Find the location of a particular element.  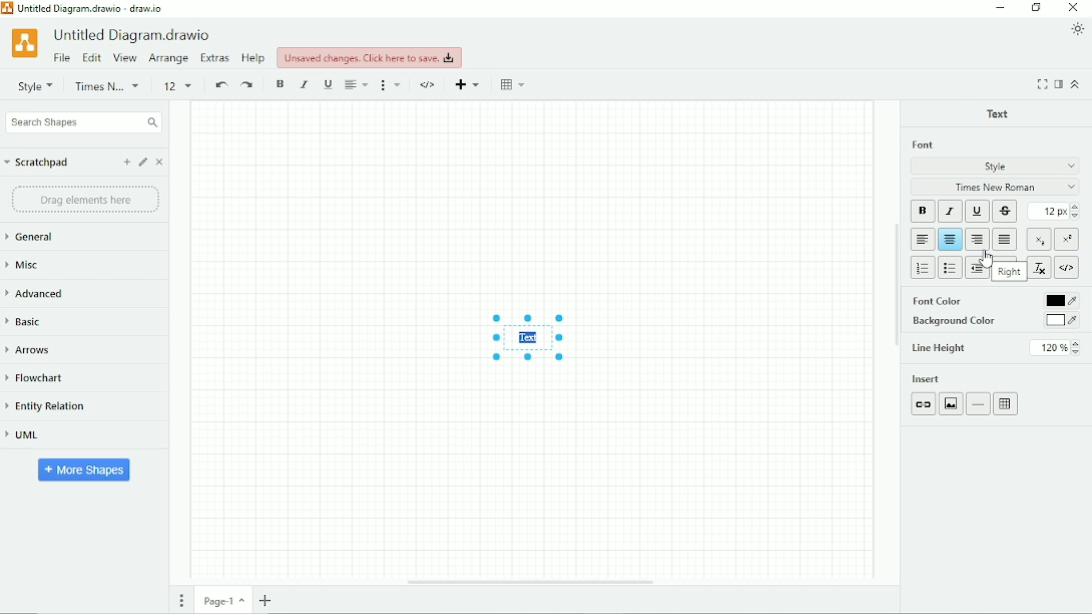

Link is located at coordinates (924, 404).